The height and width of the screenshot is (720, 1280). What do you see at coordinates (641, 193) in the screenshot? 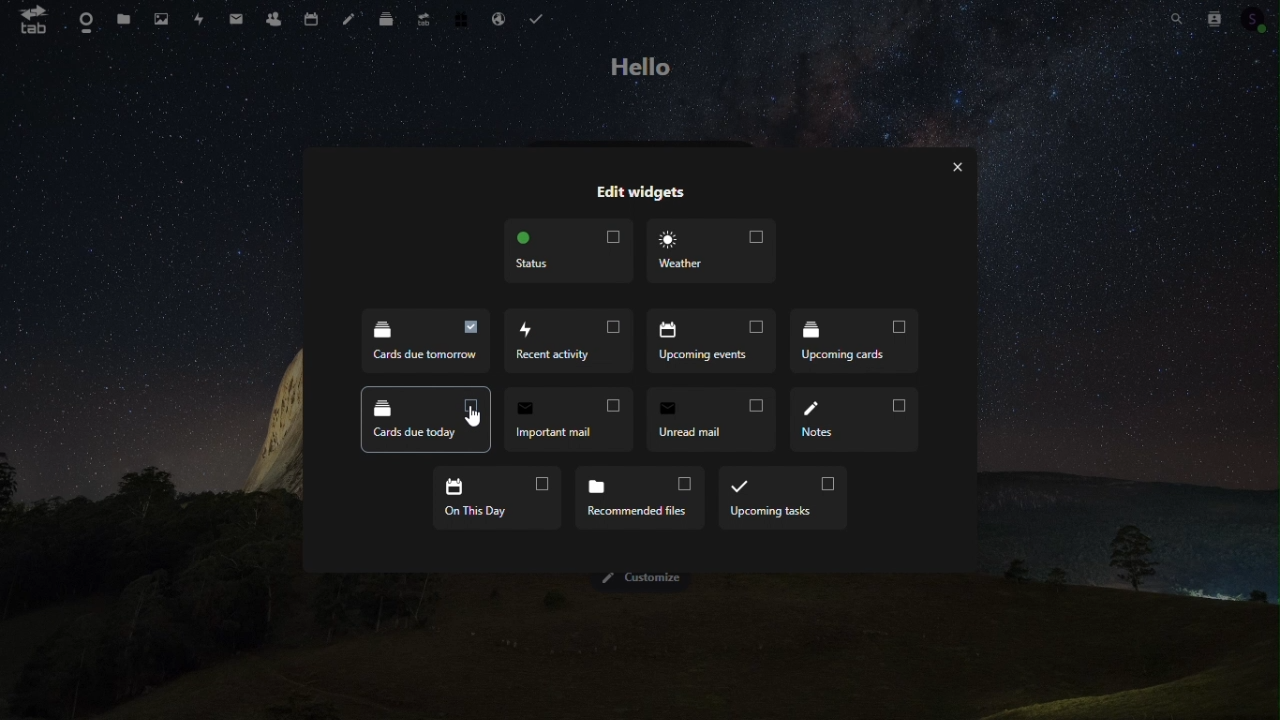
I see `Edit widgets` at bounding box center [641, 193].